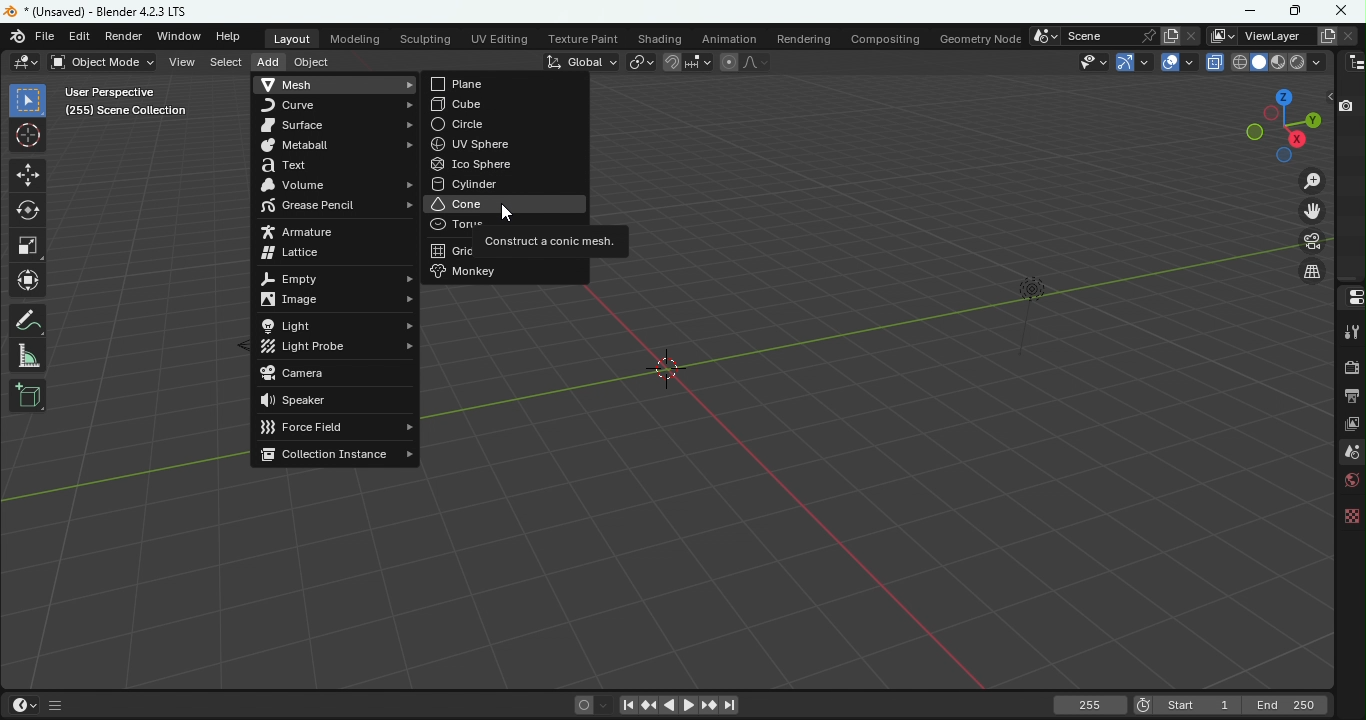 Image resolution: width=1366 pixels, height=720 pixels. What do you see at coordinates (26, 211) in the screenshot?
I see `Rotate` at bounding box center [26, 211].